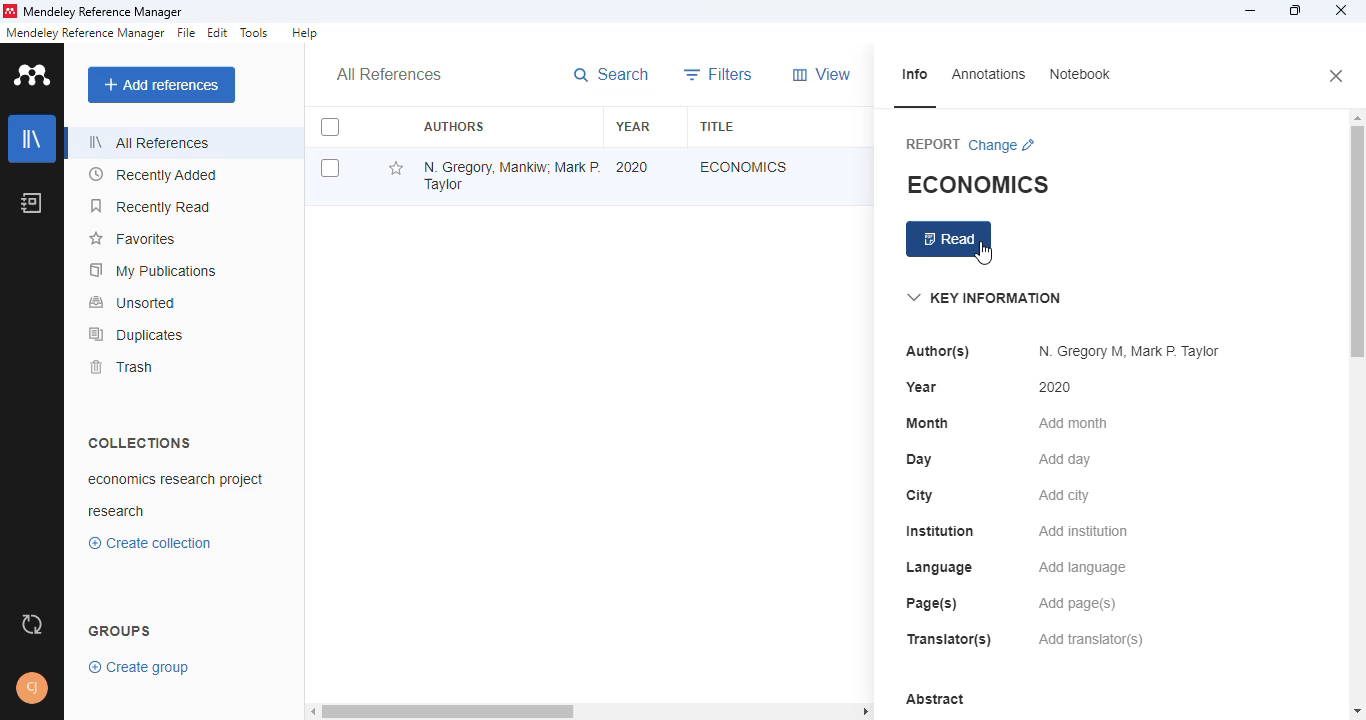  What do you see at coordinates (744, 165) in the screenshot?
I see `economics` at bounding box center [744, 165].